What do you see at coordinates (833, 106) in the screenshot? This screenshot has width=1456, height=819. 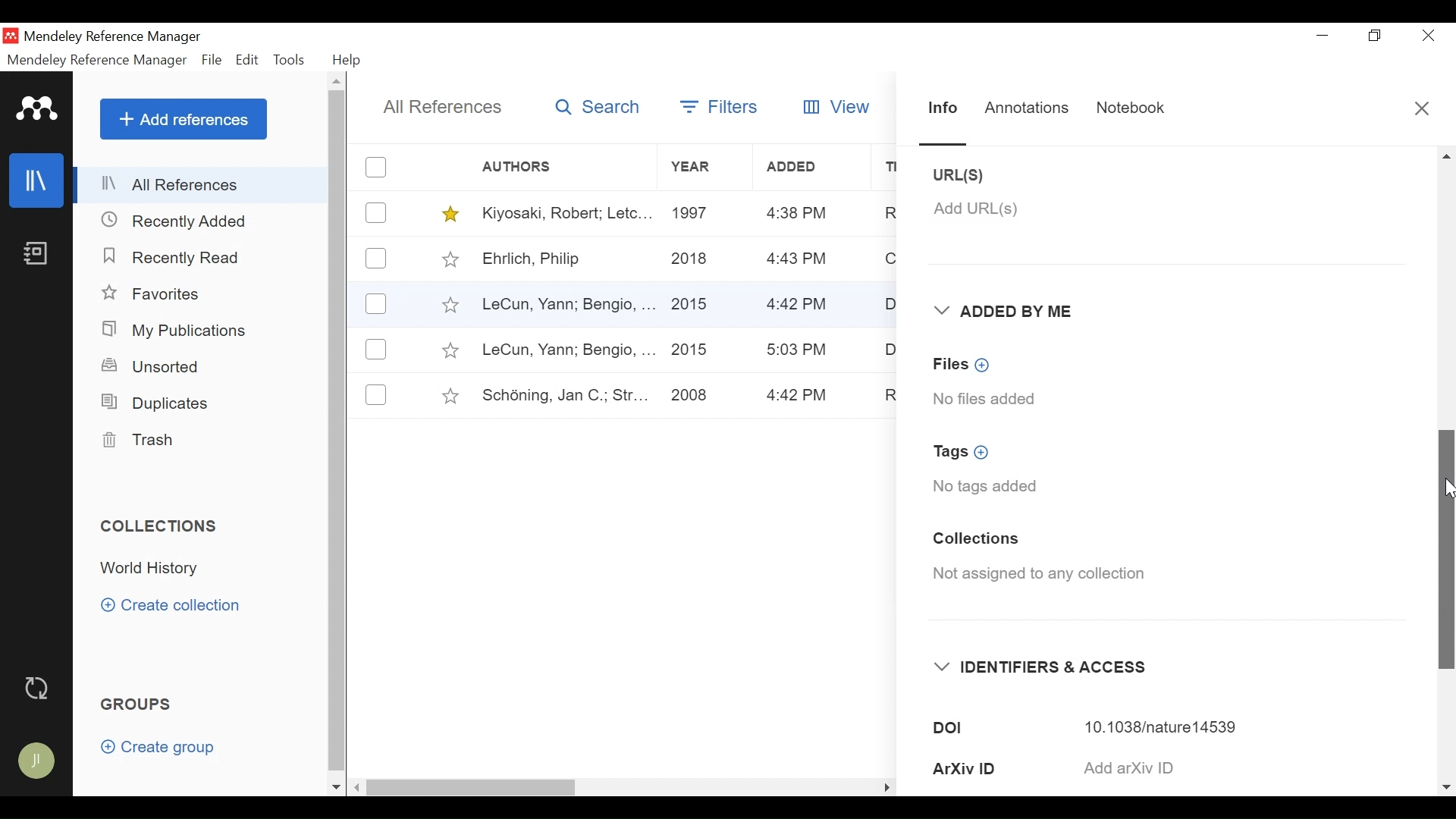 I see `View` at bounding box center [833, 106].